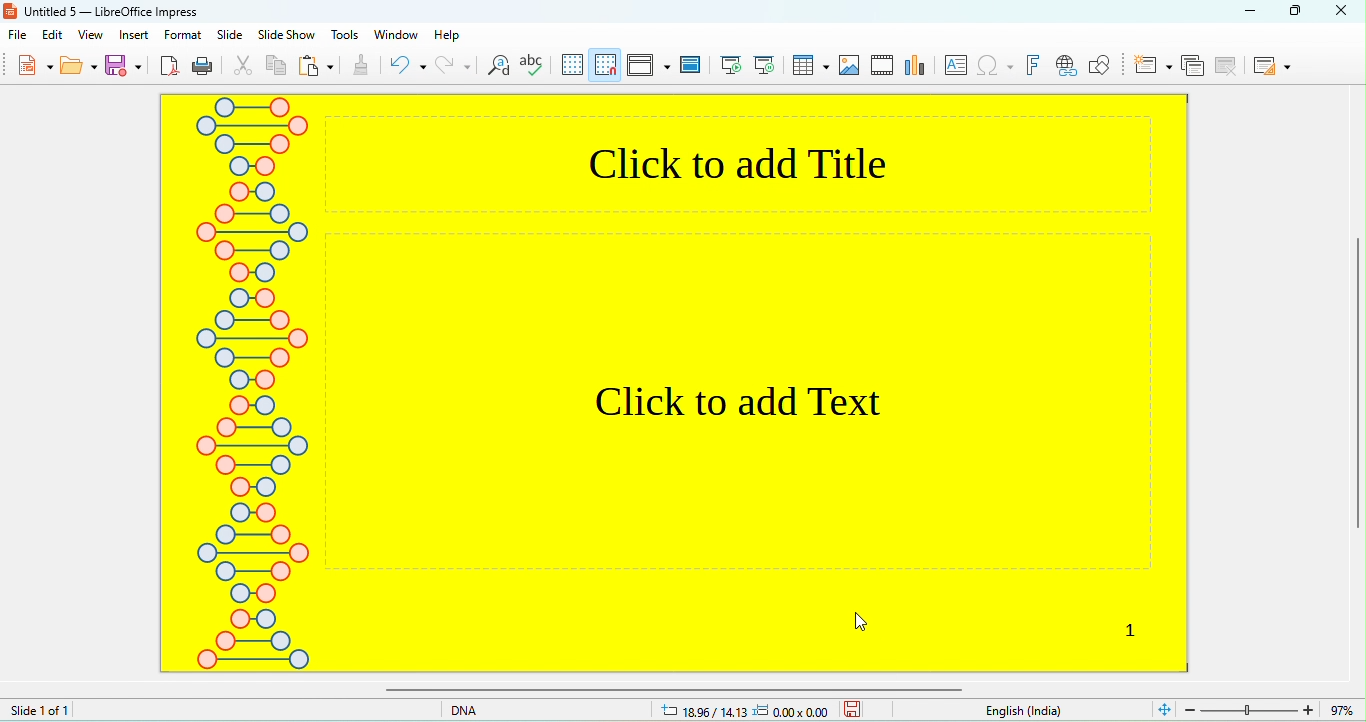  Describe the element at coordinates (90, 35) in the screenshot. I see `view` at that location.